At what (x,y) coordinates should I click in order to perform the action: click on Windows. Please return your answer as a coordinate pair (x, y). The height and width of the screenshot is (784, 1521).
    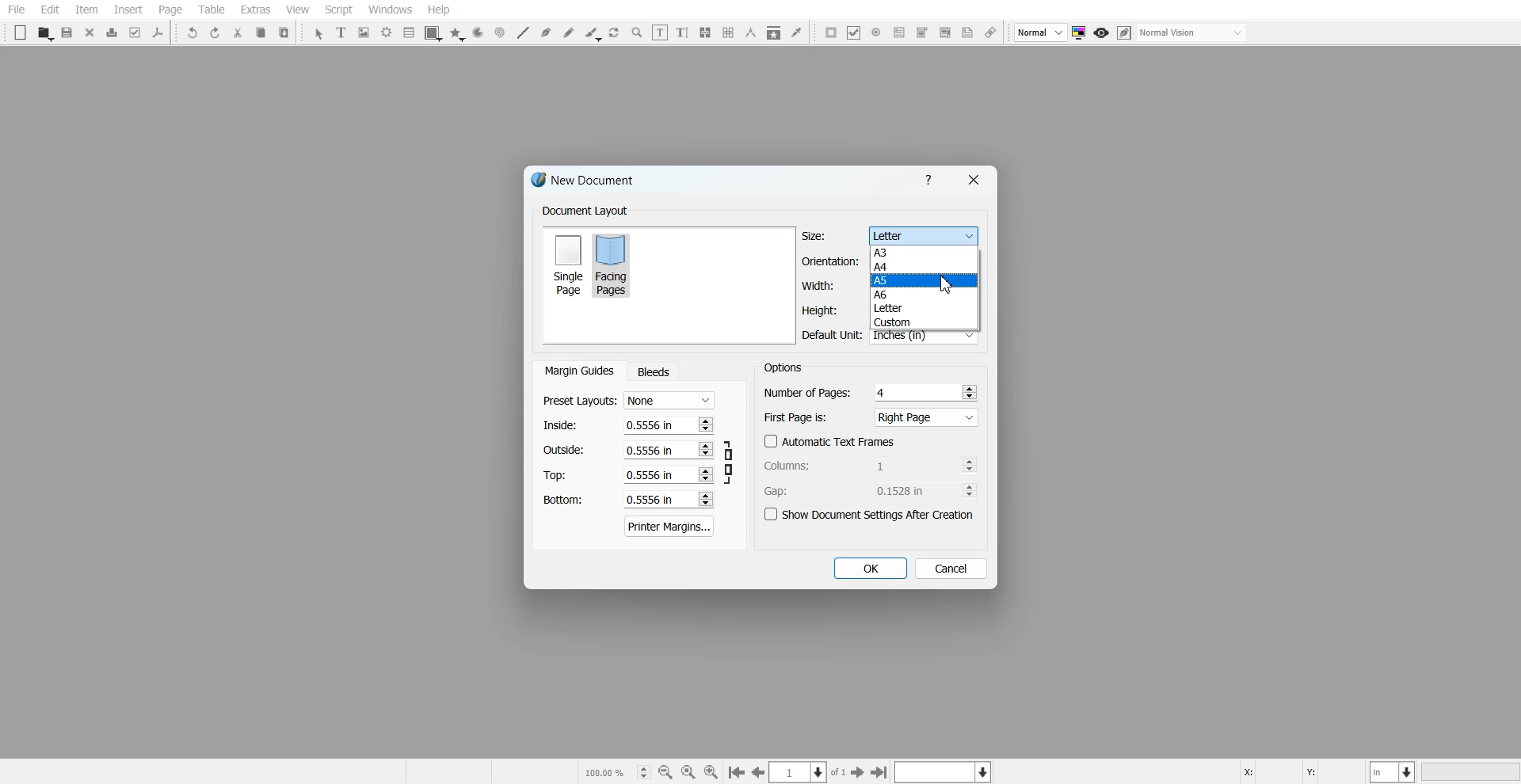
    Looking at the image, I should click on (391, 10).